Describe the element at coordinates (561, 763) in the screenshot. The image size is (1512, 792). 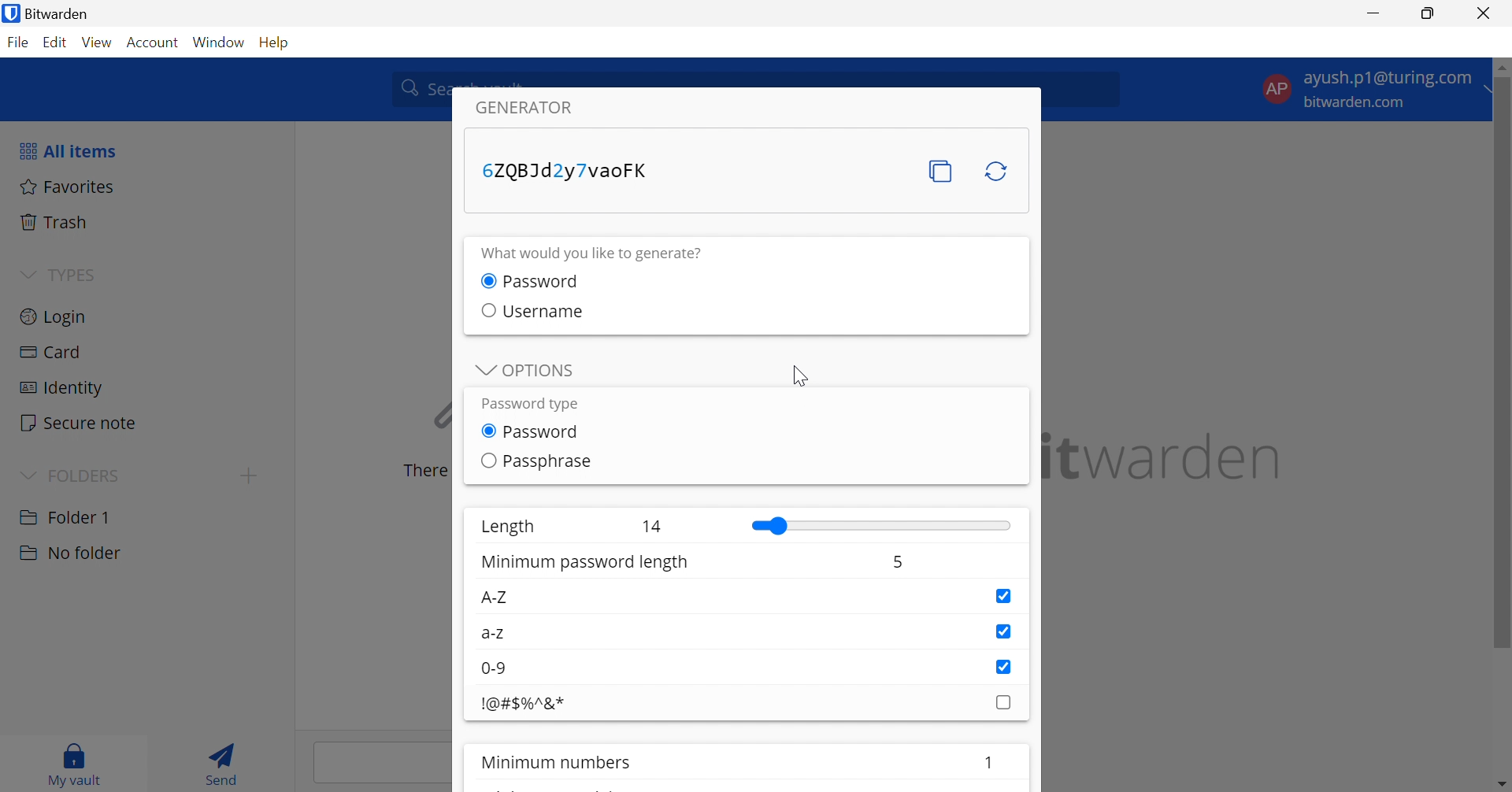
I see `Minimum numbers` at that location.